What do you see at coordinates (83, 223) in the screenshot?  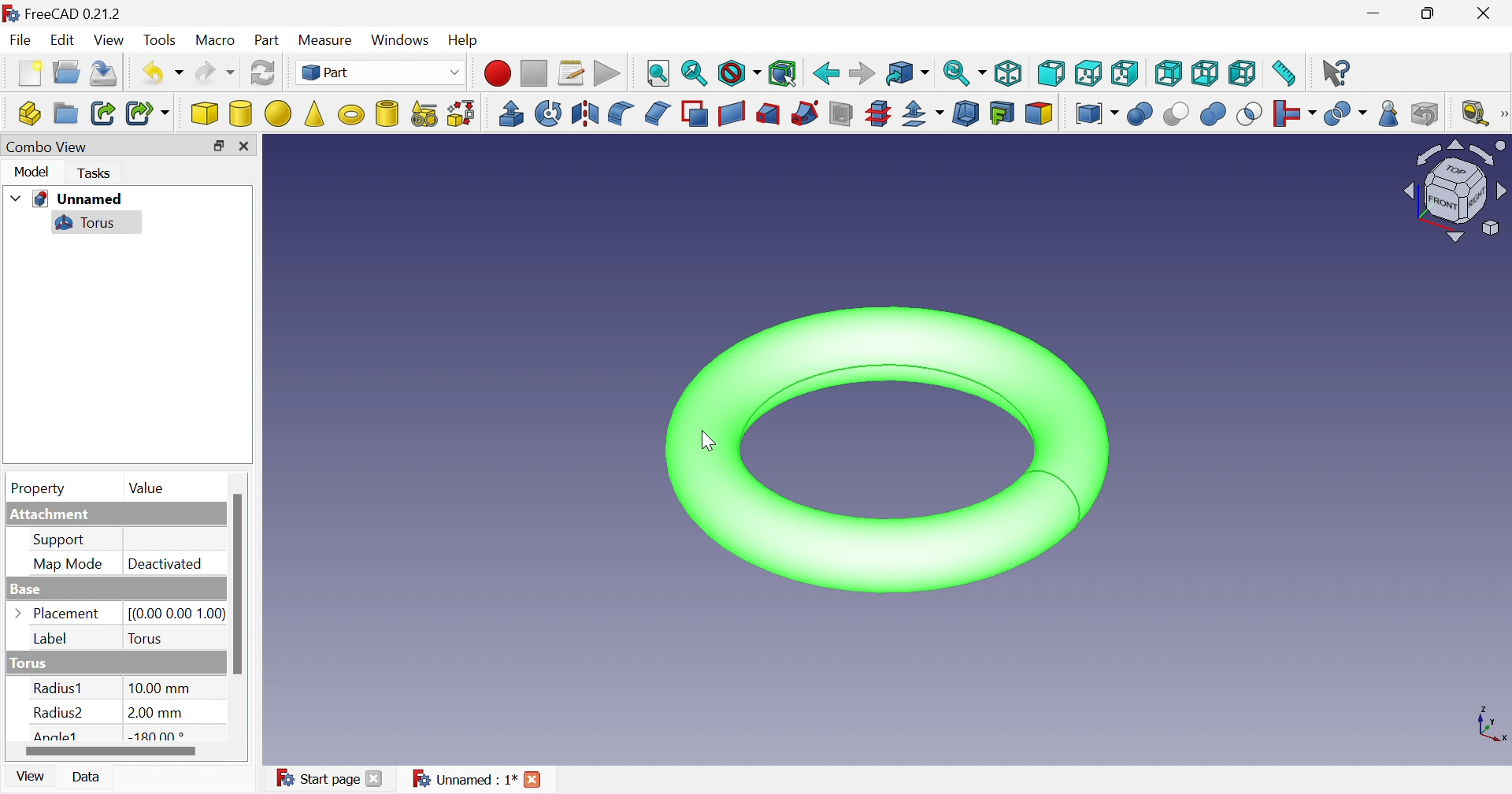 I see `Torus` at bounding box center [83, 223].